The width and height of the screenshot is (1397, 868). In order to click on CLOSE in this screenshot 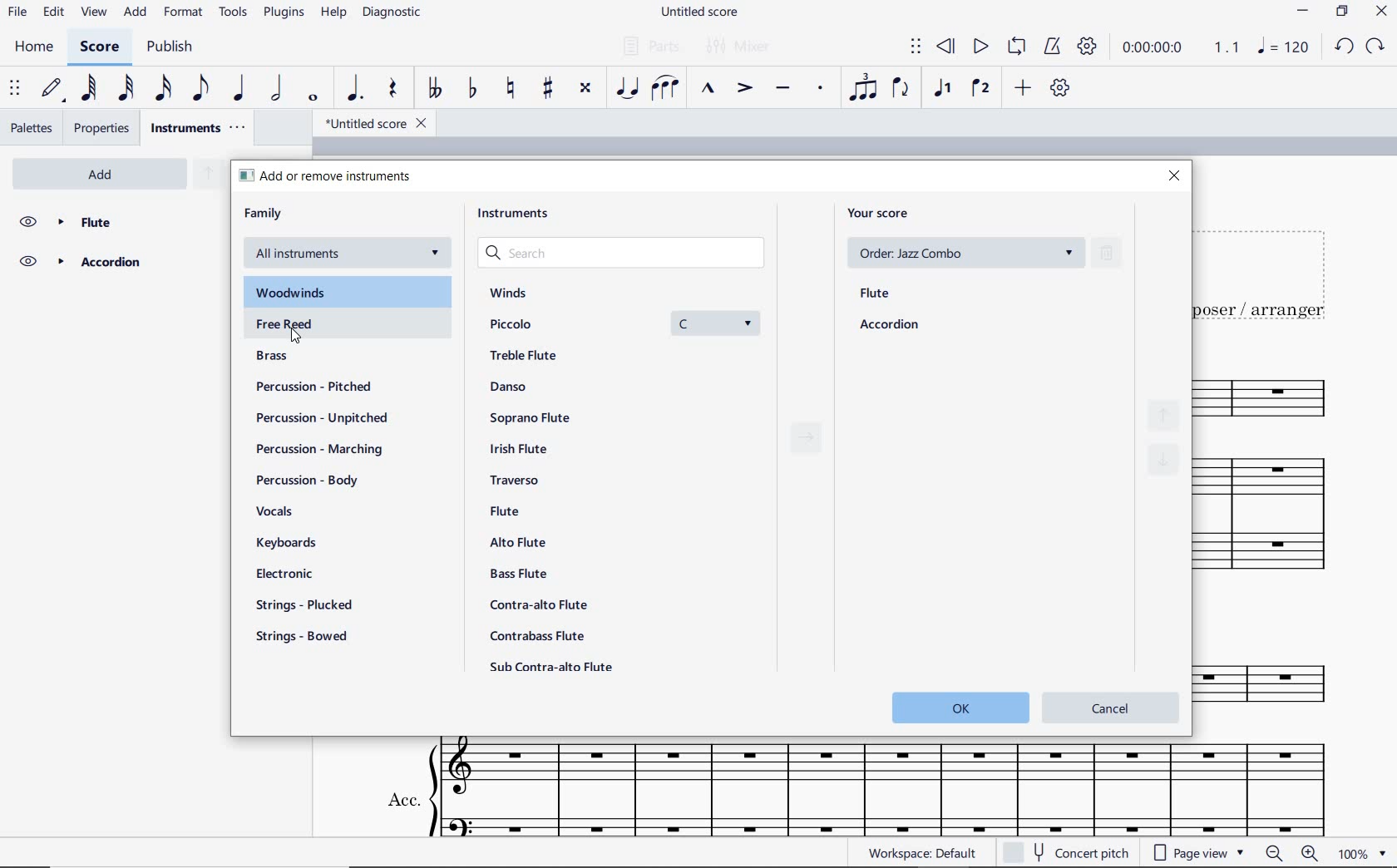, I will do `click(1380, 11)`.